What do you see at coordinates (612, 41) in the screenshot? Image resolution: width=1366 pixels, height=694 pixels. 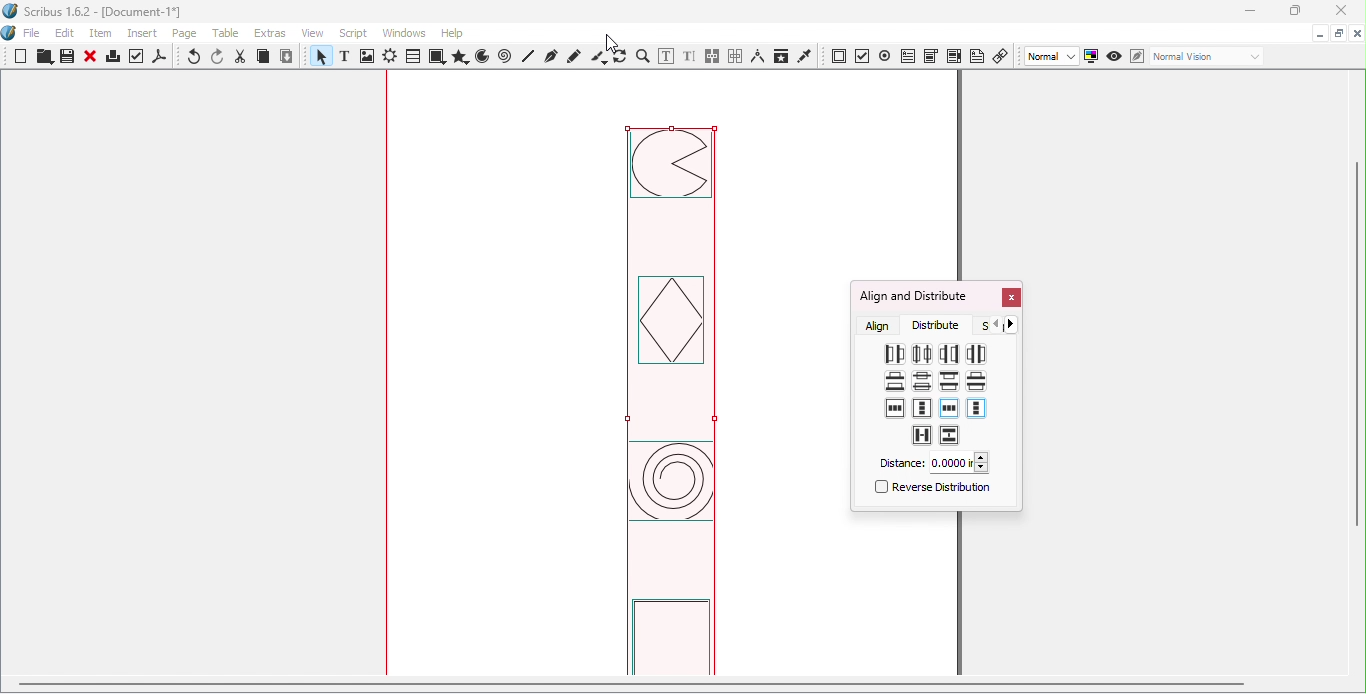 I see `cursor` at bounding box center [612, 41].